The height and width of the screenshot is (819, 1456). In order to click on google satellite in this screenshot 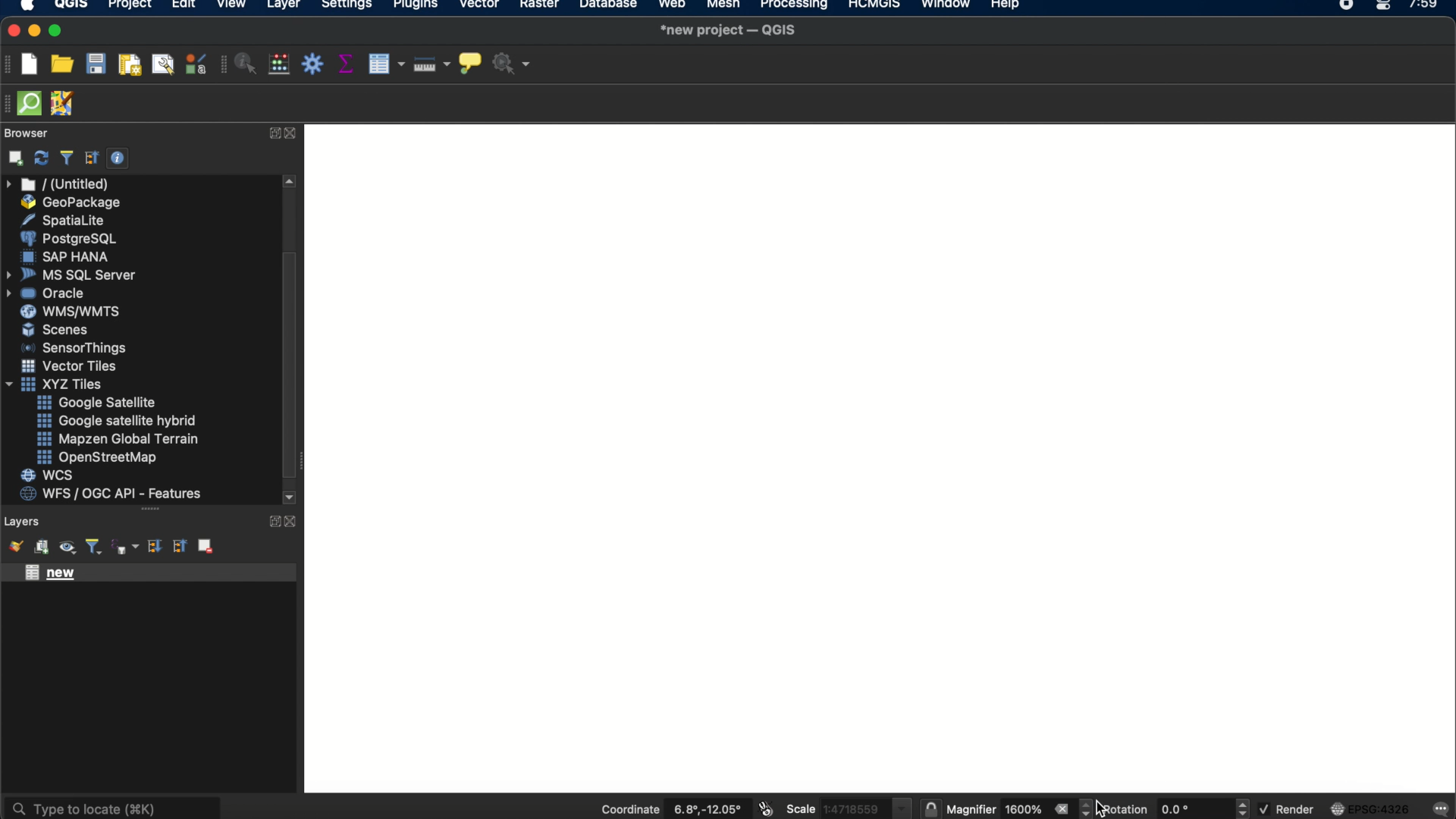, I will do `click(98, 403)`.